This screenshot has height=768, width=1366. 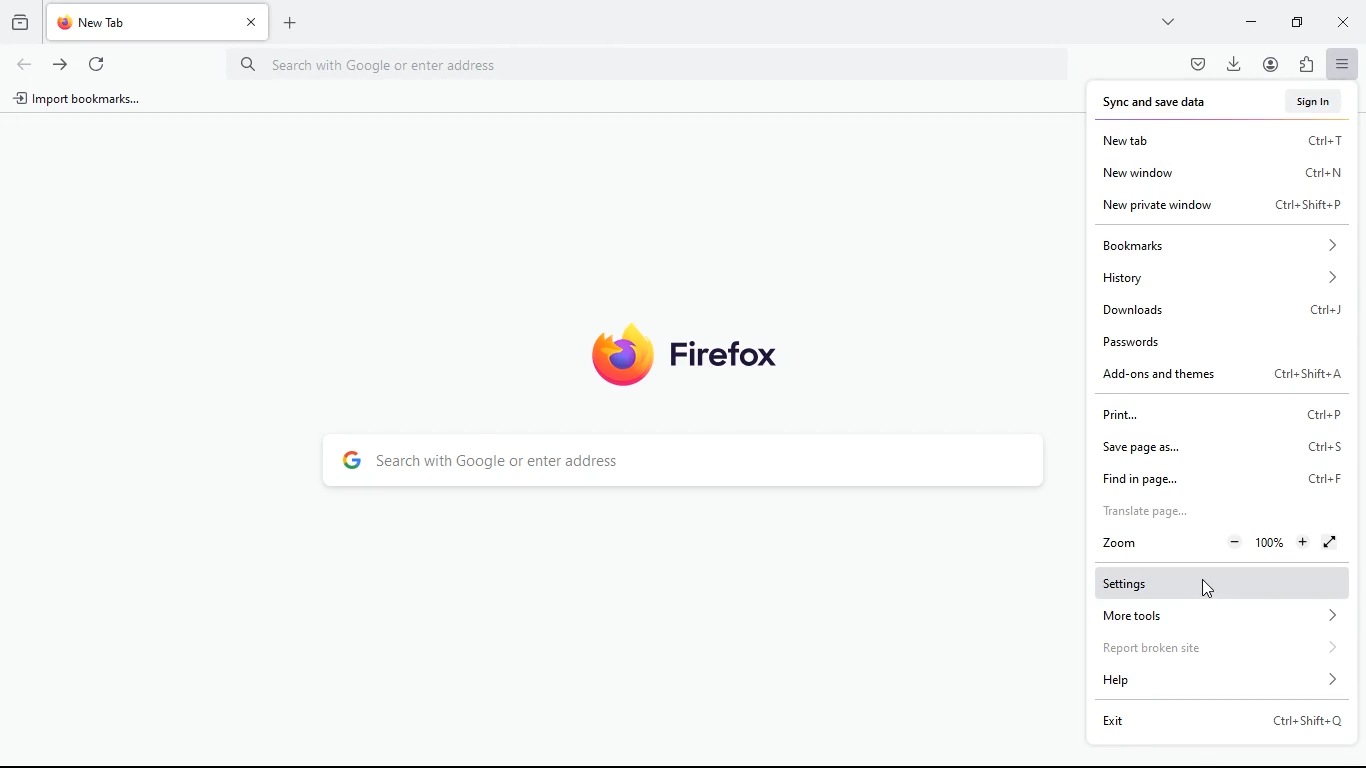 I want to click on back, so click(x=24, y=66).